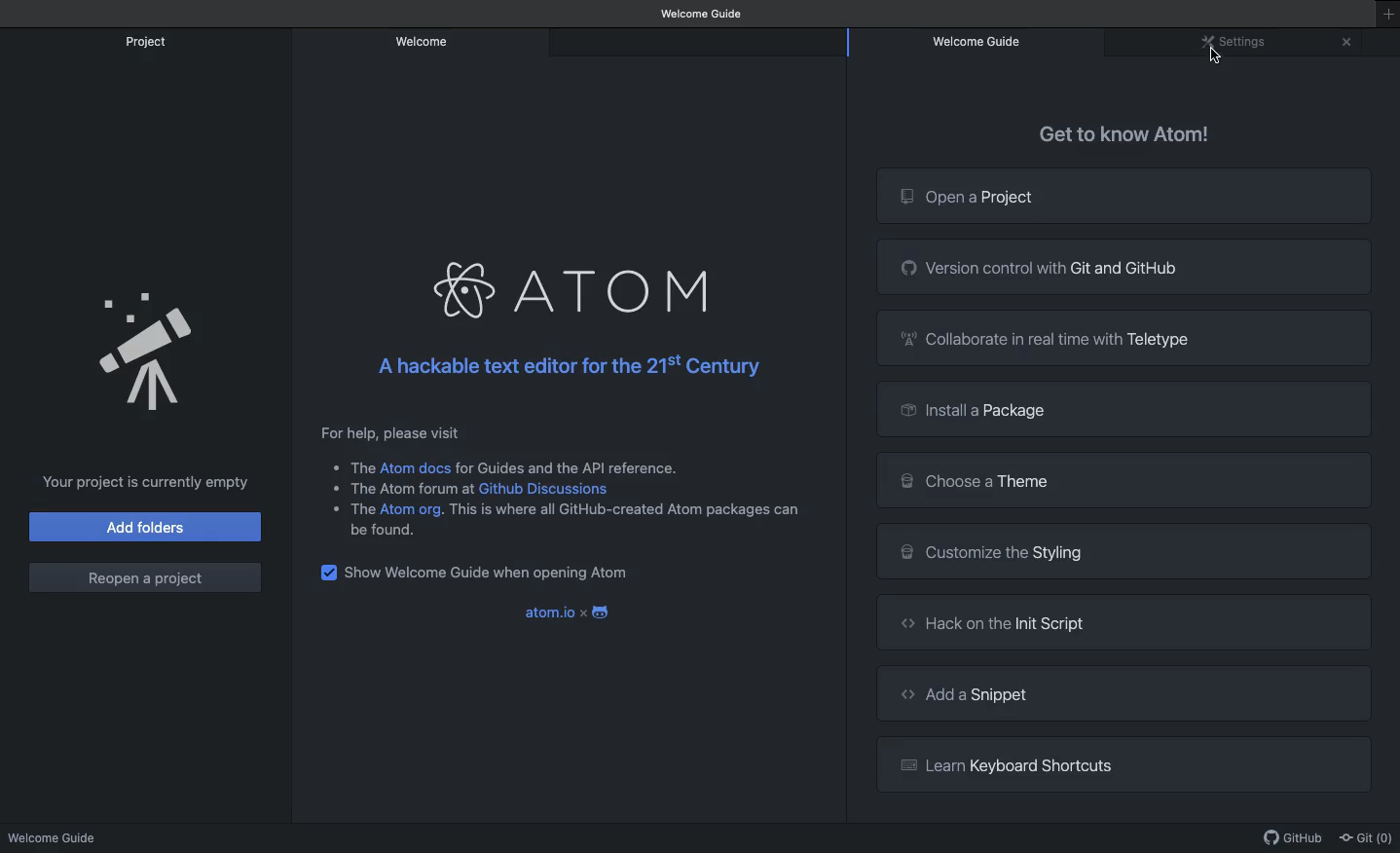 Image resolution: width=1400 pixels, height=853 pixels. What do you see at coordinates (1369, 838) in the screenshot?
I see `Git` at bounding box center [1369, 838].